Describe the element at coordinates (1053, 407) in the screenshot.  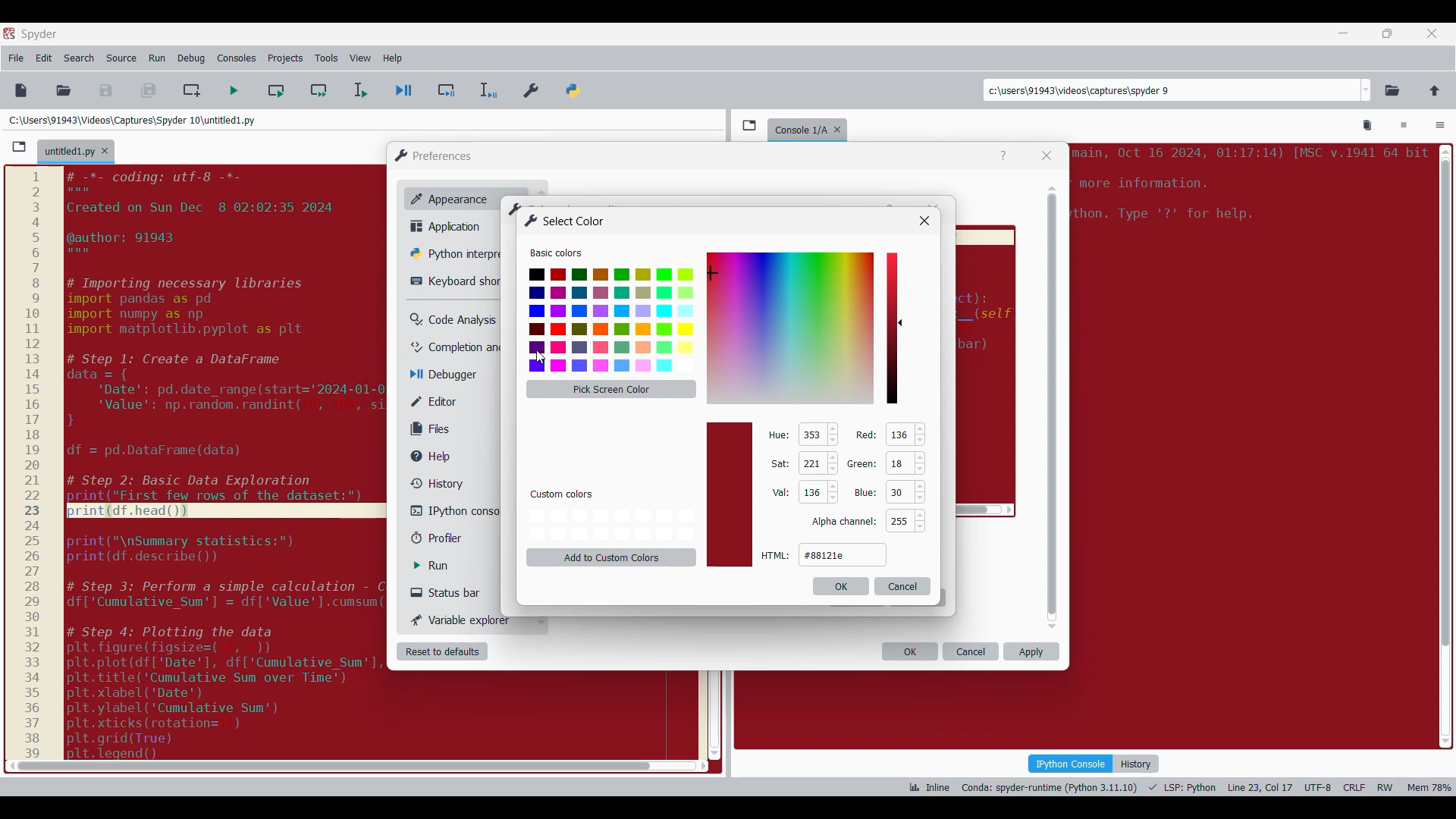
I see `Vertical slide bar` at that location.